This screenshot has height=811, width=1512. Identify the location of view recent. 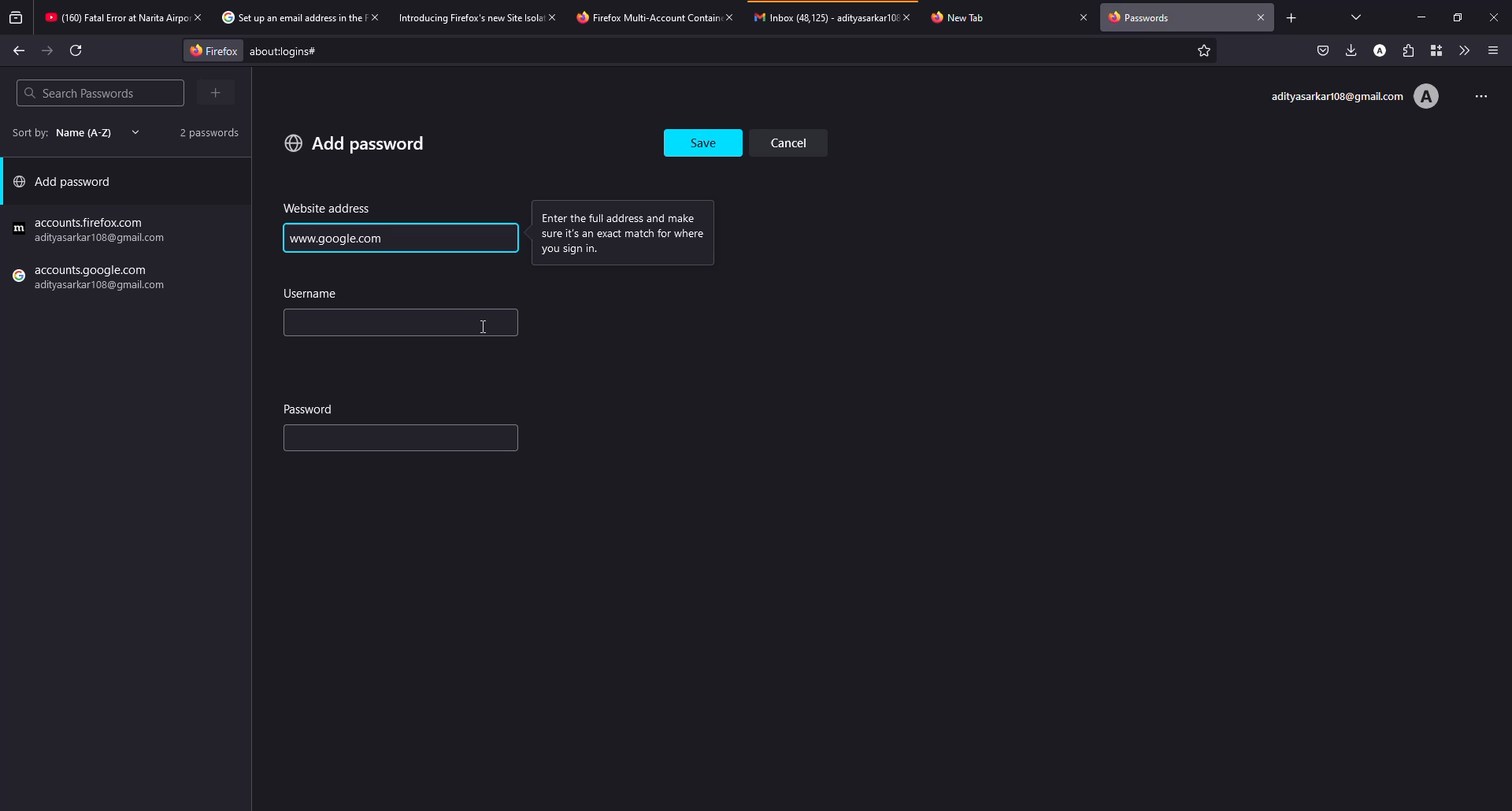
(17, 18).